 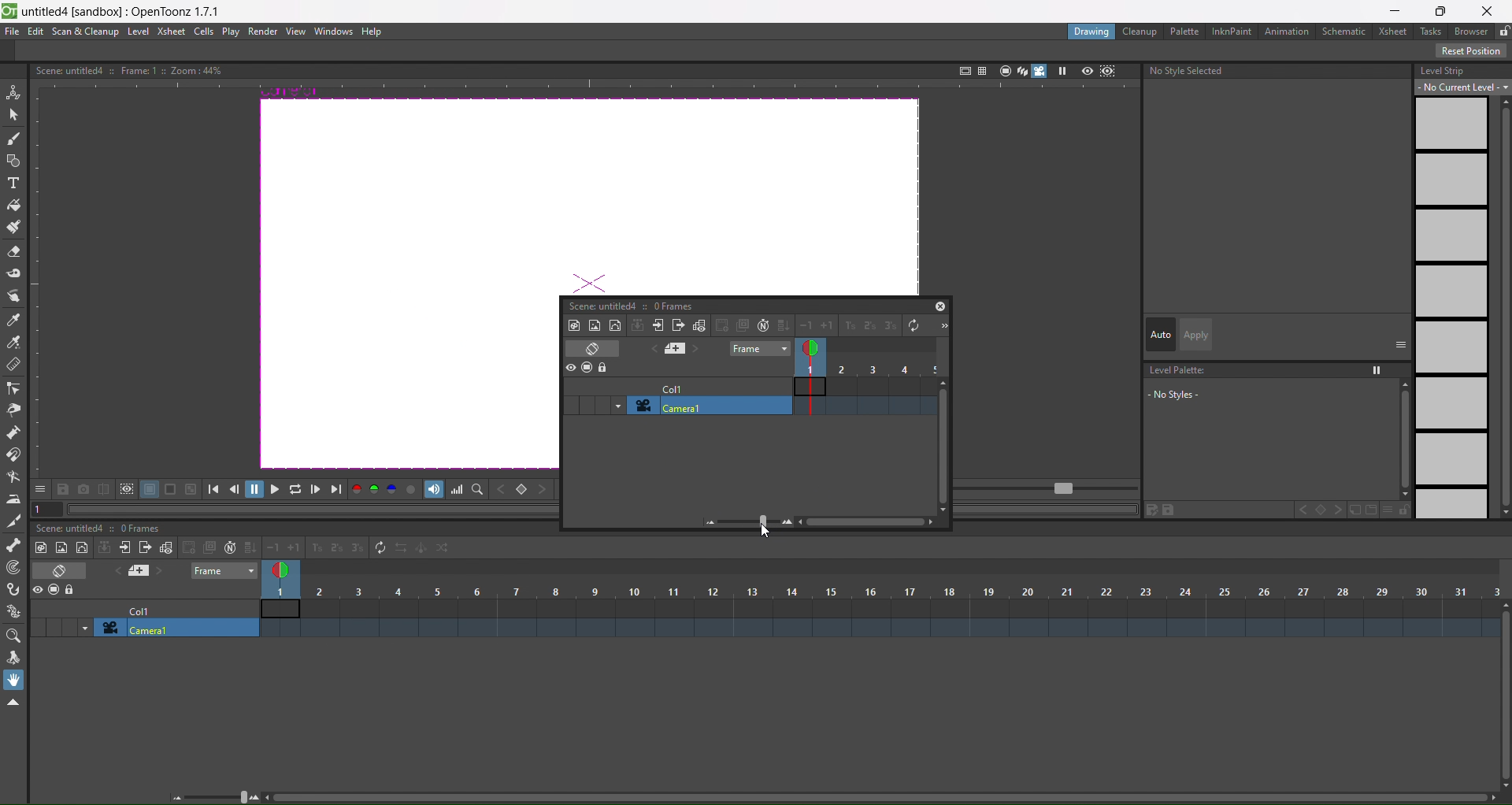 I want to click on cutter tool, so click(x=13, y=521).